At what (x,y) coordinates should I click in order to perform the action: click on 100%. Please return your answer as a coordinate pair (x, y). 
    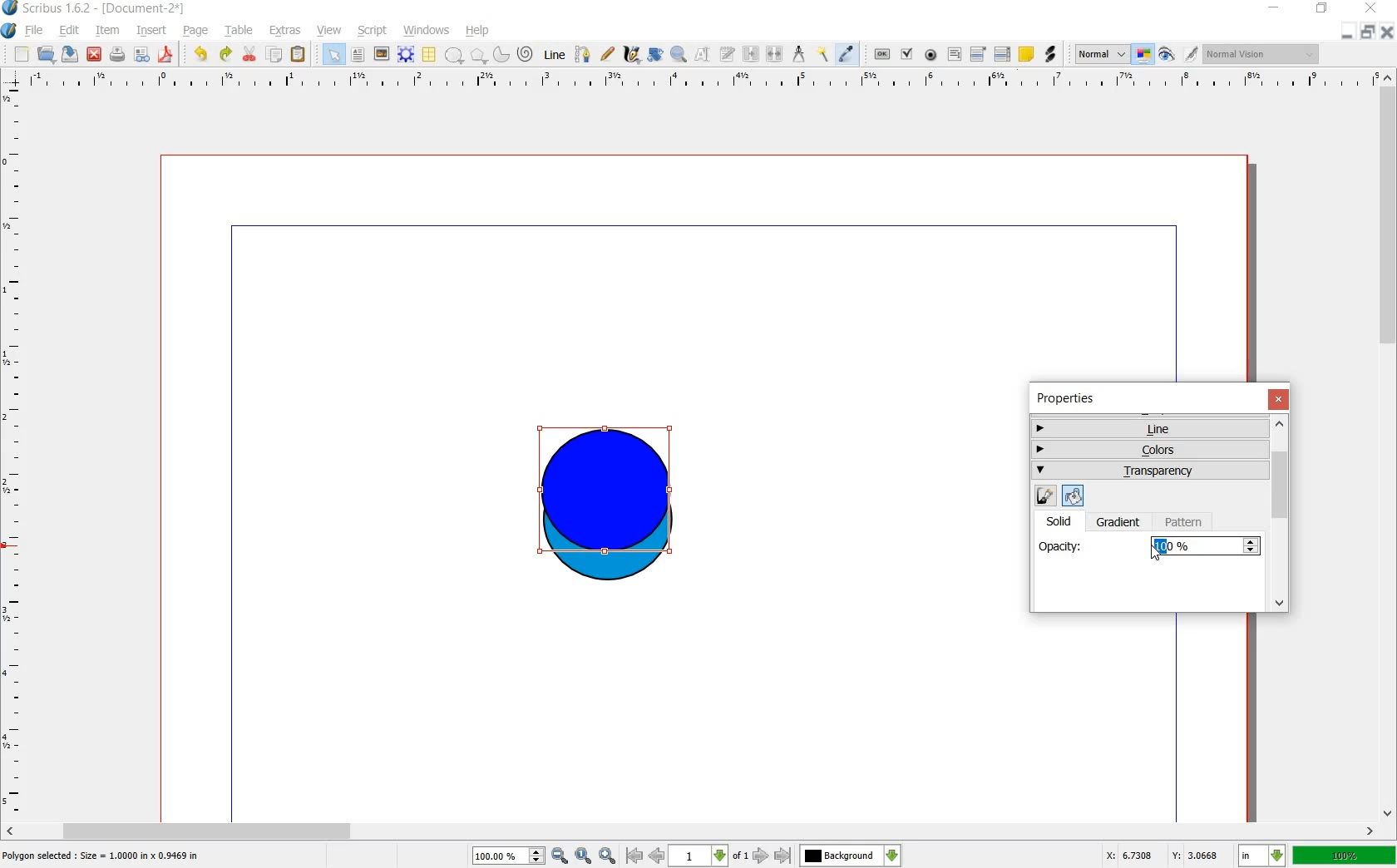
    Looking at the image, I should click on (499, 855).